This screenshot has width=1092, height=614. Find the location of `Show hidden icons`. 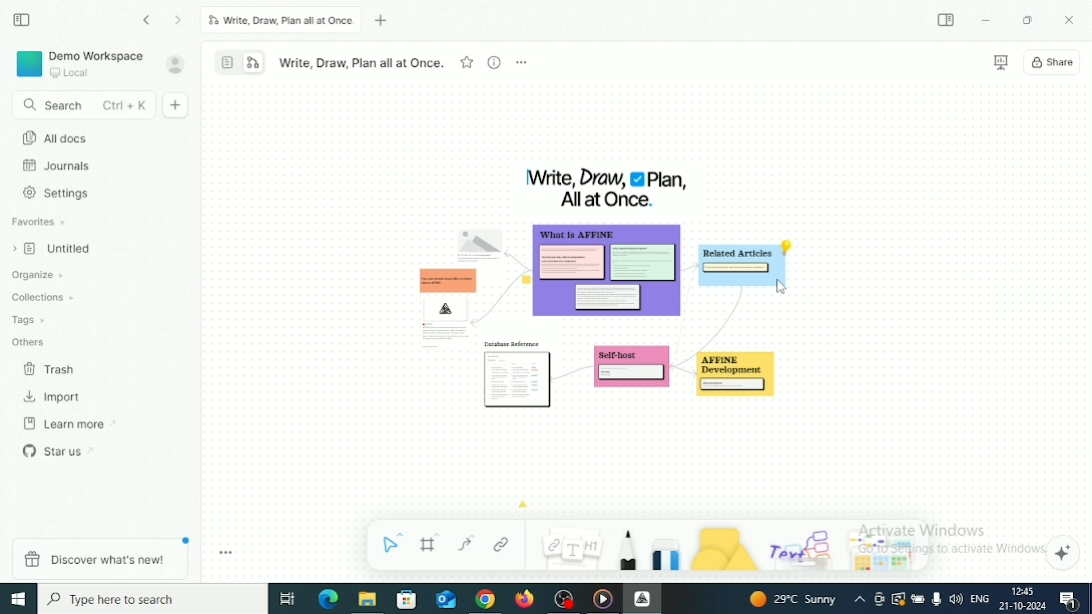

Show hidden icons is located at coordinates (860, 600).